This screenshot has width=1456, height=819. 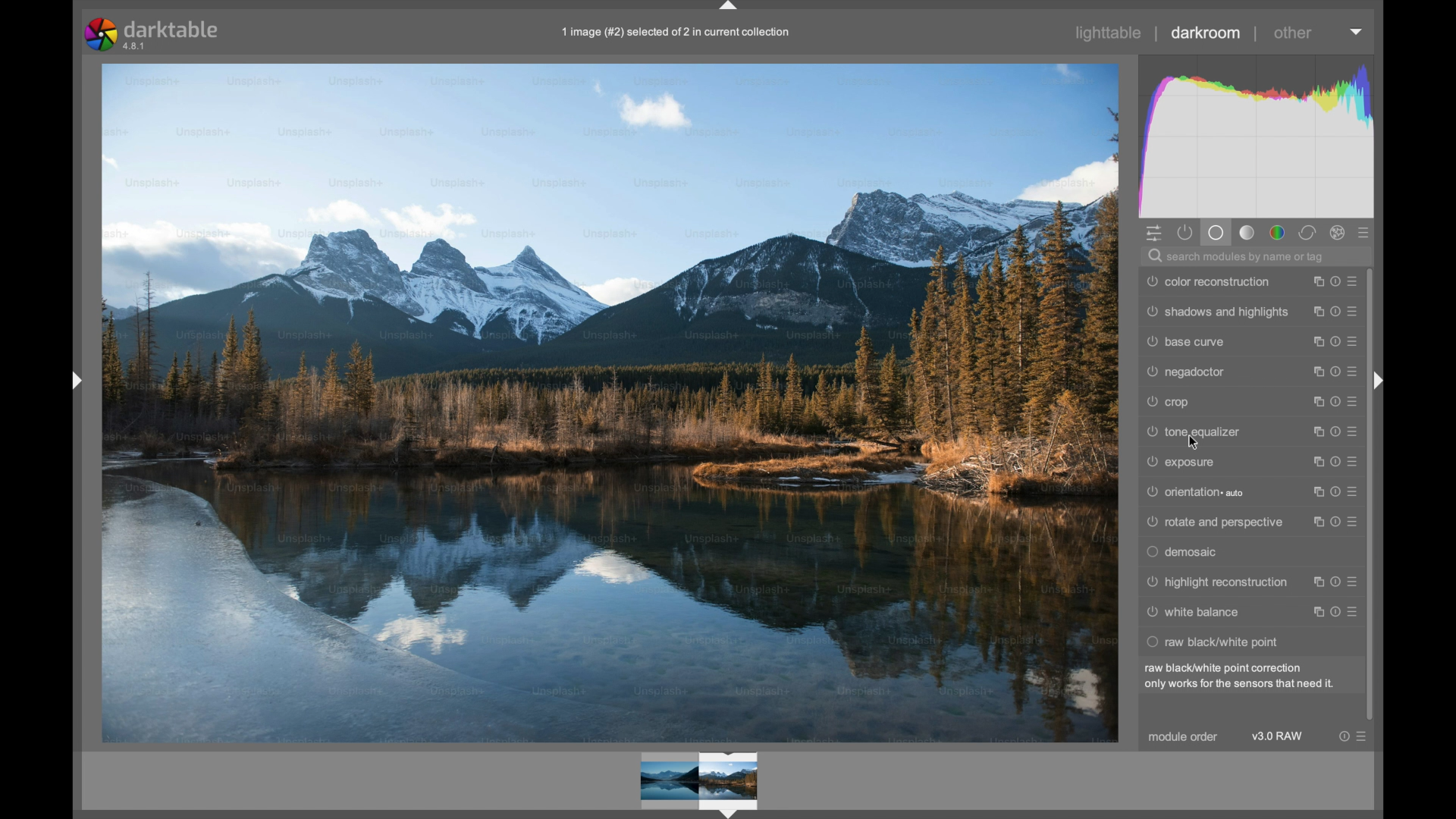 What do you see at coordinates (1278, 233) in the screenshot?
I see `color` at bounding box center [1278, 233].